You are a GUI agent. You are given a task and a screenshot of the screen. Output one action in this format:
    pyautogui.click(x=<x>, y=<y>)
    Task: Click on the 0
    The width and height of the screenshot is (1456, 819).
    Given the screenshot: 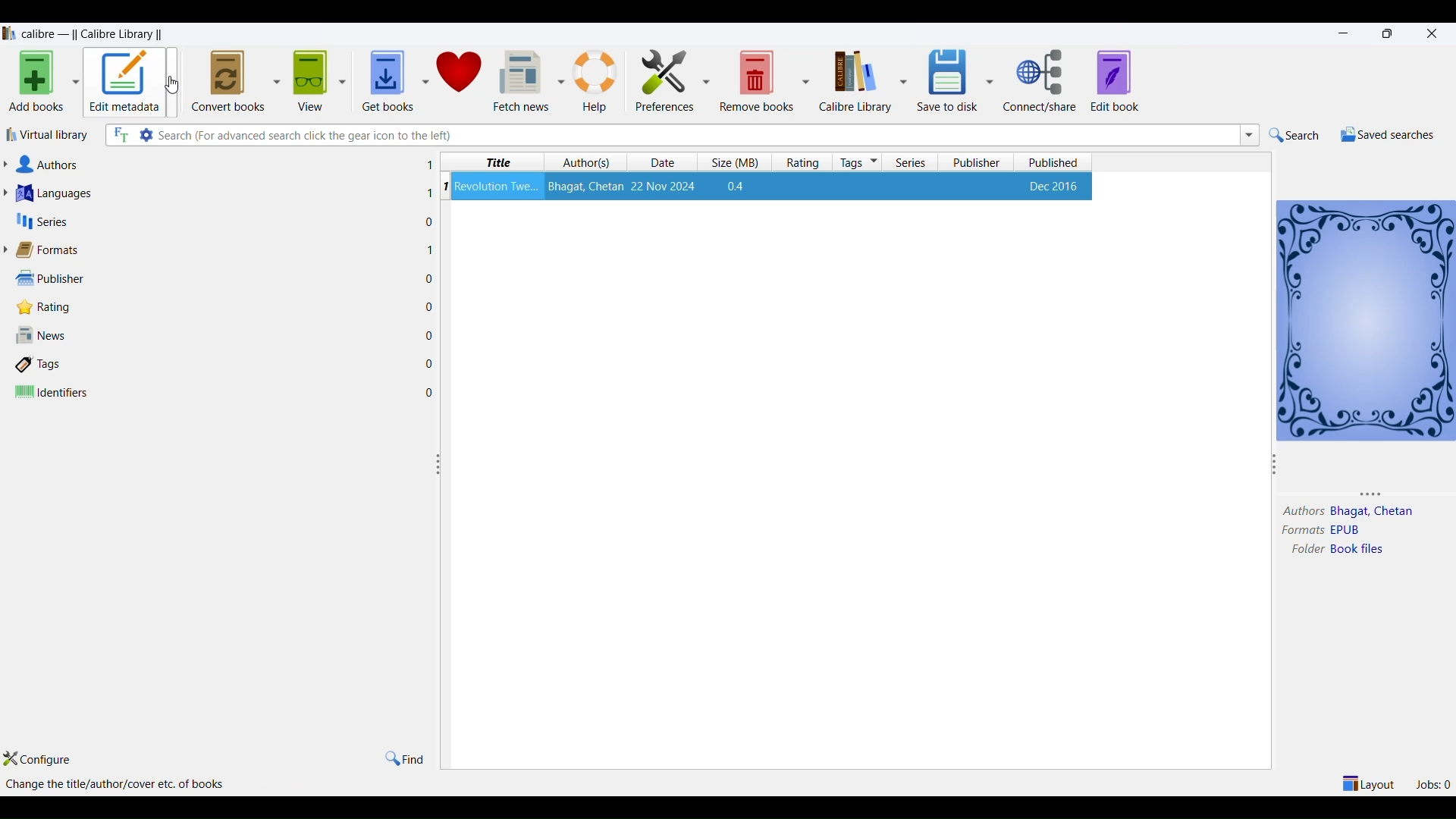 What is the action you would take?
    pyautogui.click(x=431, y=391)
    